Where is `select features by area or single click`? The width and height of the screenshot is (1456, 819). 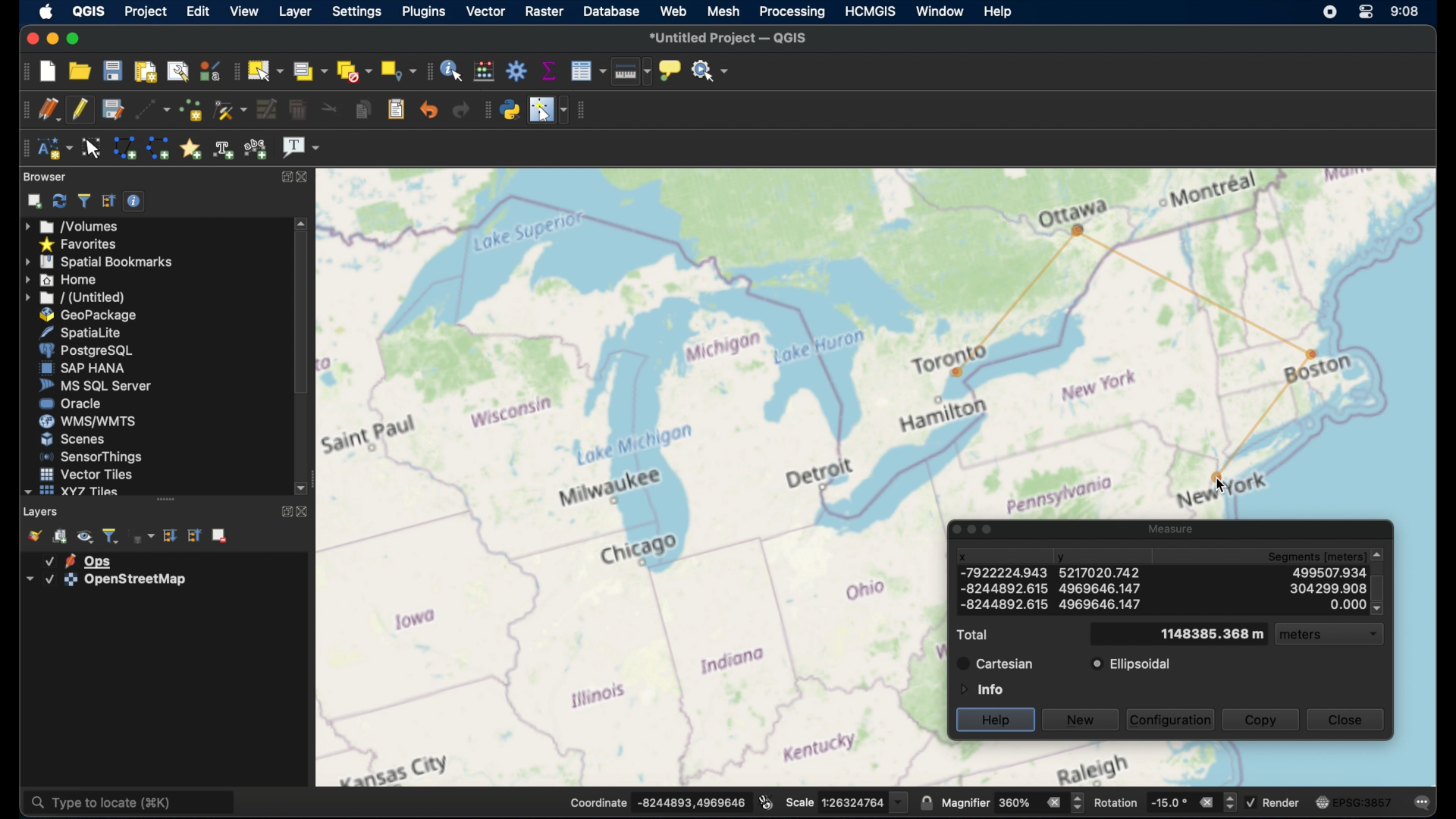
select features by area or single click is located at coordinates (268, 70).